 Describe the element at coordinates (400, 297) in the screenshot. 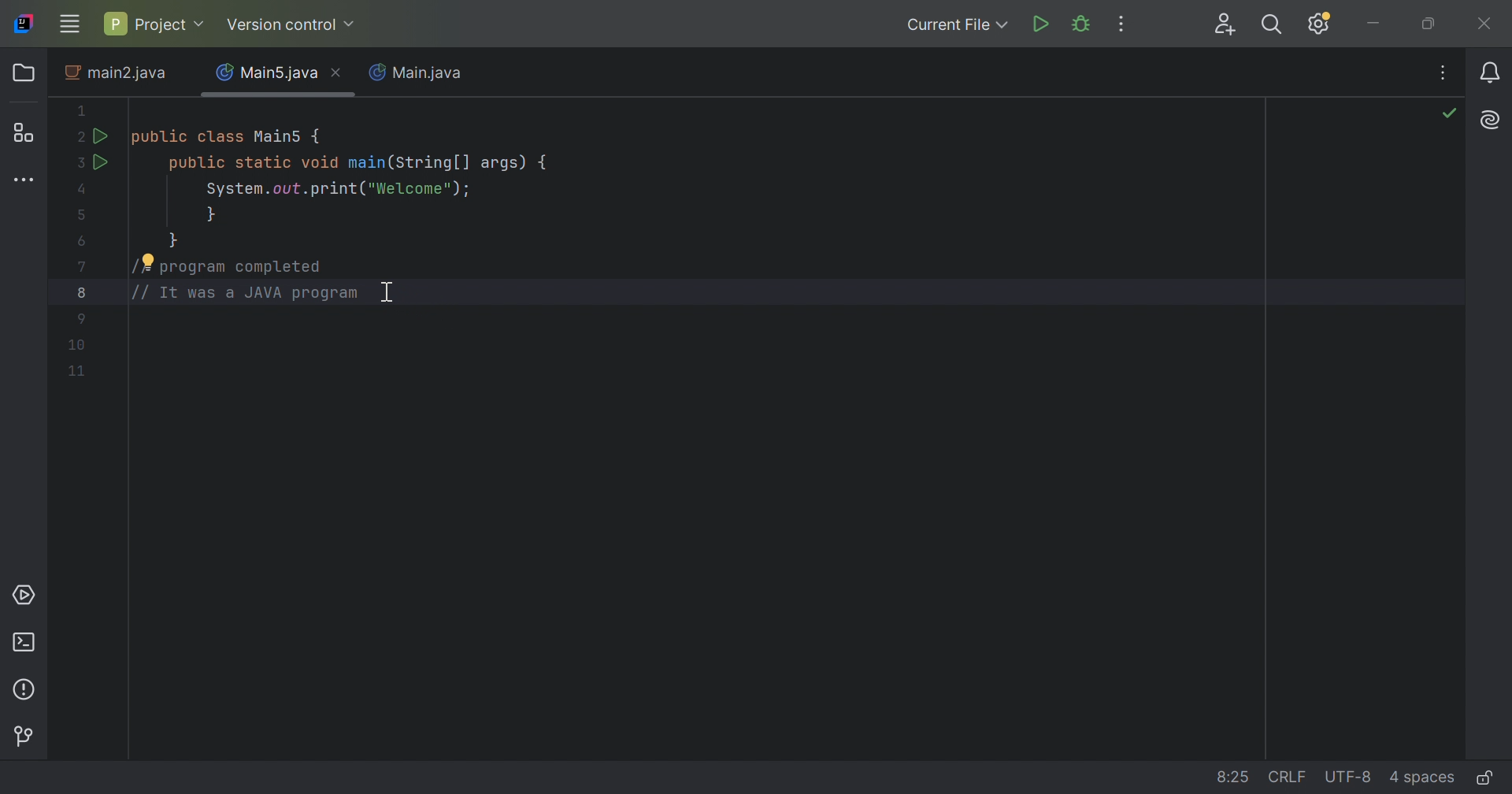

I see `I-beam cursor` at that location.